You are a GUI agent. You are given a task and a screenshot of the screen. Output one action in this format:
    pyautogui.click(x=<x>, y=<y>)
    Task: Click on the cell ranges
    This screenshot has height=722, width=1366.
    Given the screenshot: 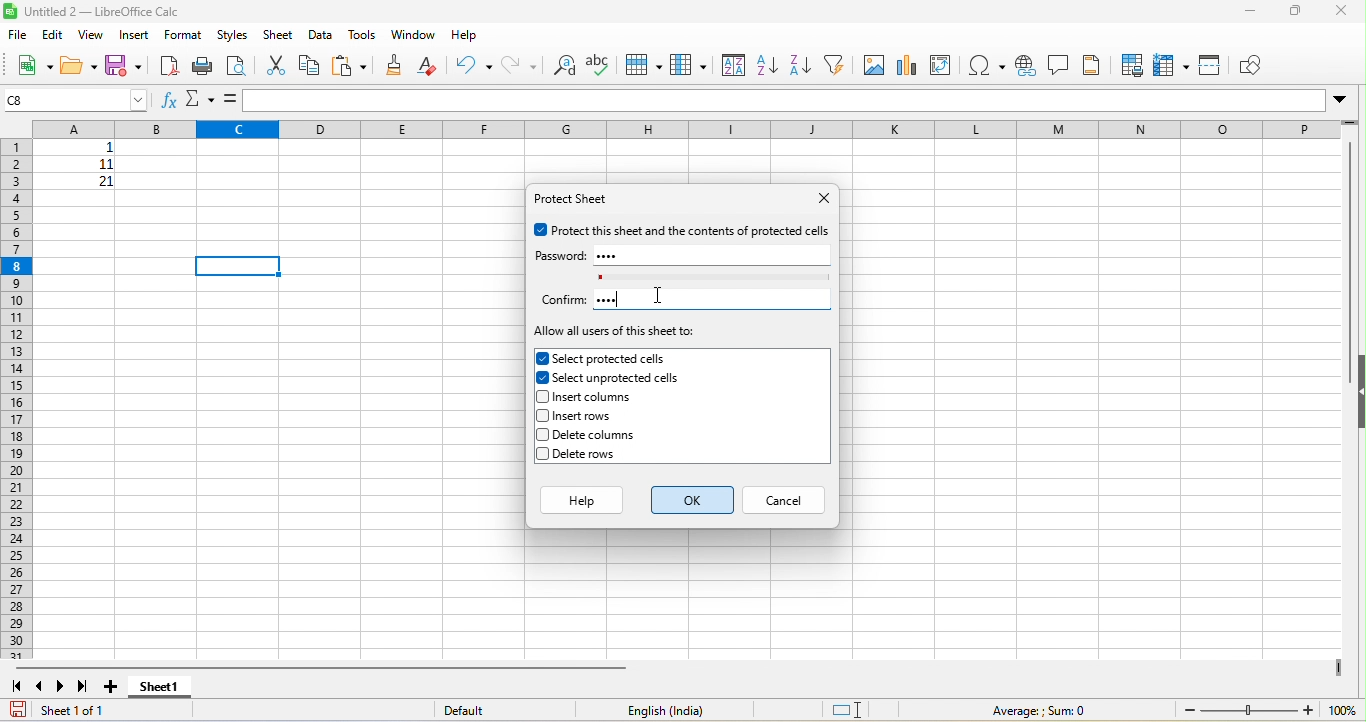 What is the action you would take?
    pyautogui.click(x=73, y=167)
    